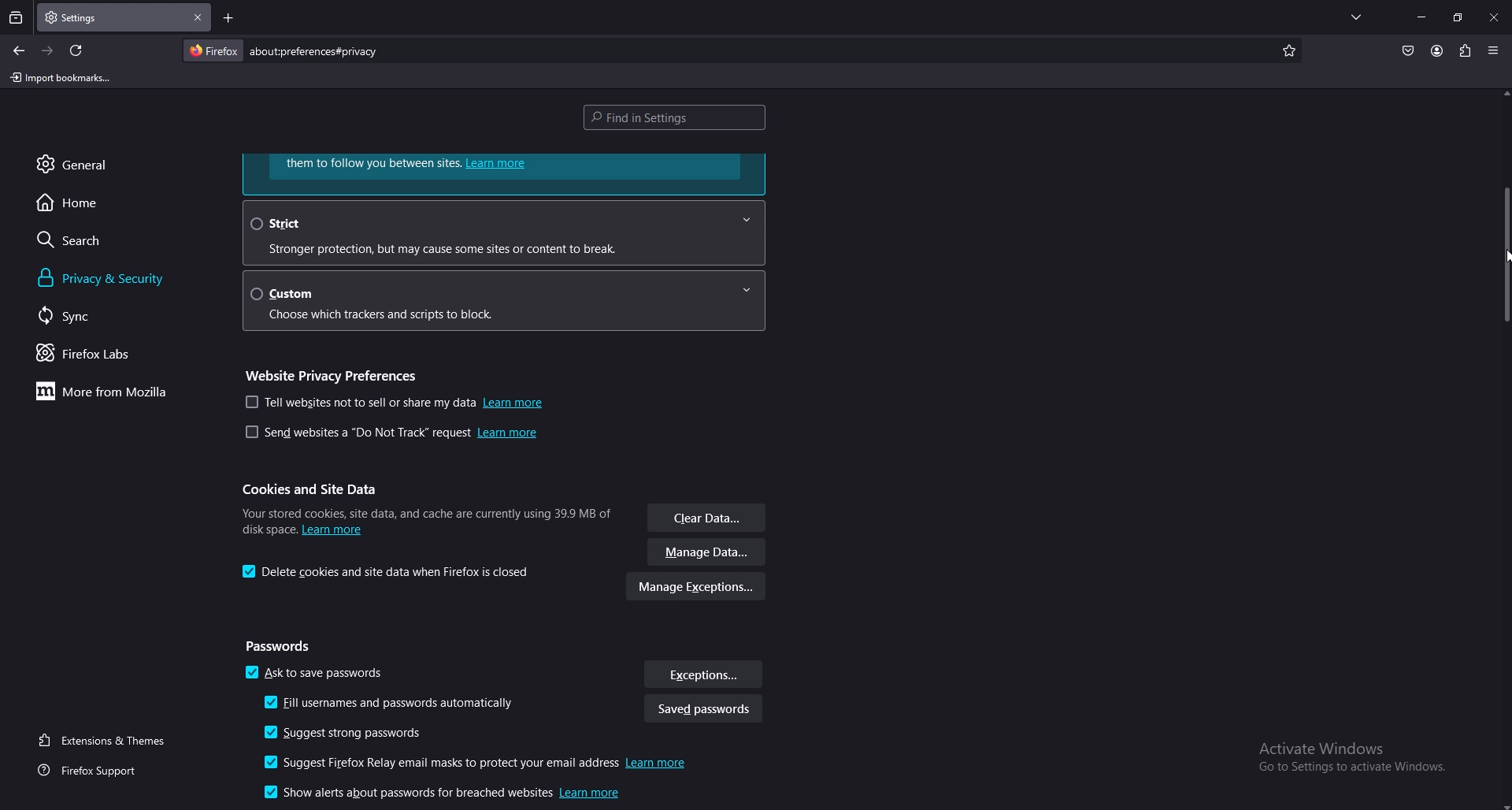 The image size is (1512, 810). Describe the element at coordinates (110, 393) in the screenshot. I see `more from mozilla` at that location.